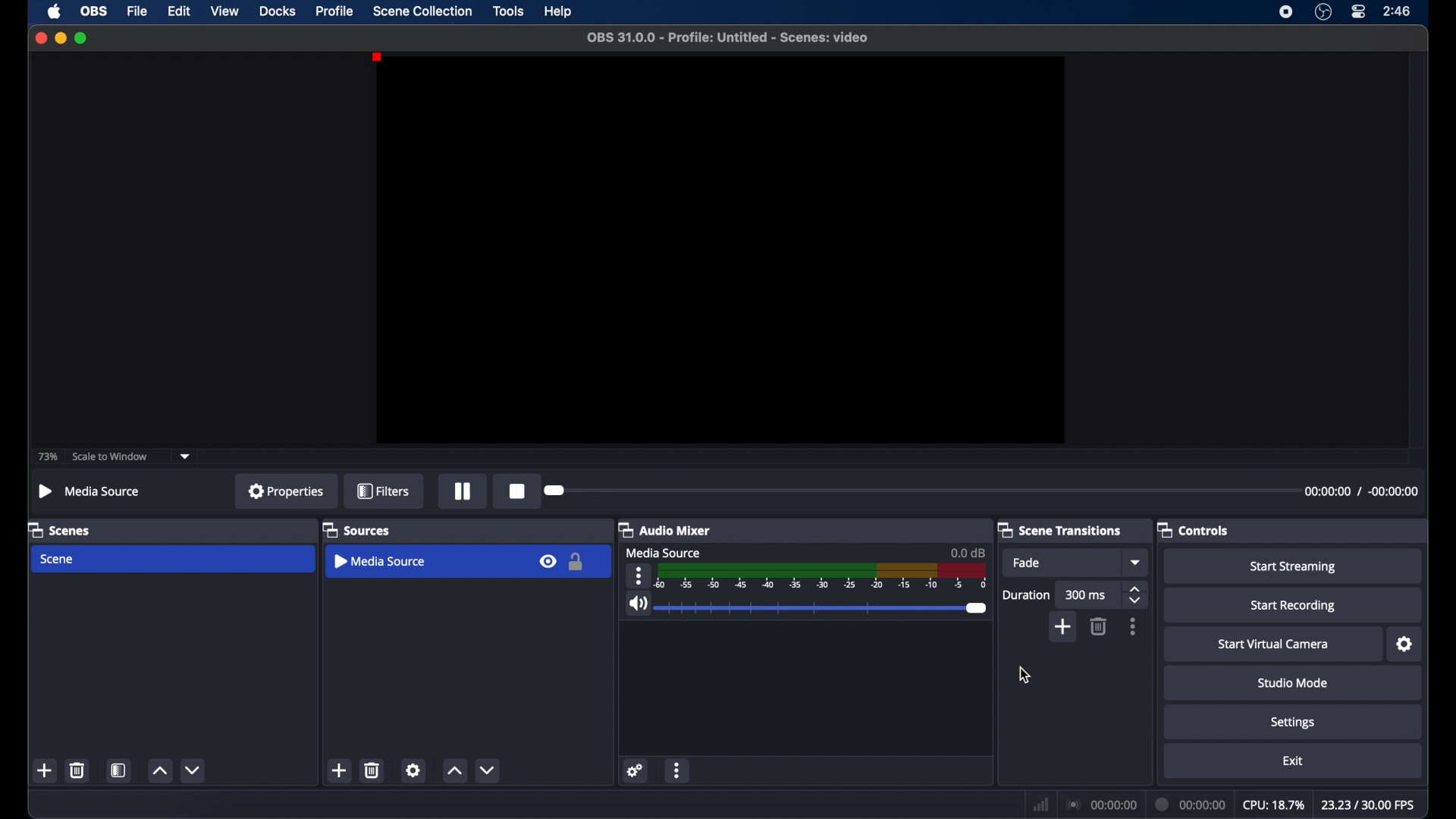  Describe the element at coordinates (808, 606) in the screenshot. I see `Volume` at that location.